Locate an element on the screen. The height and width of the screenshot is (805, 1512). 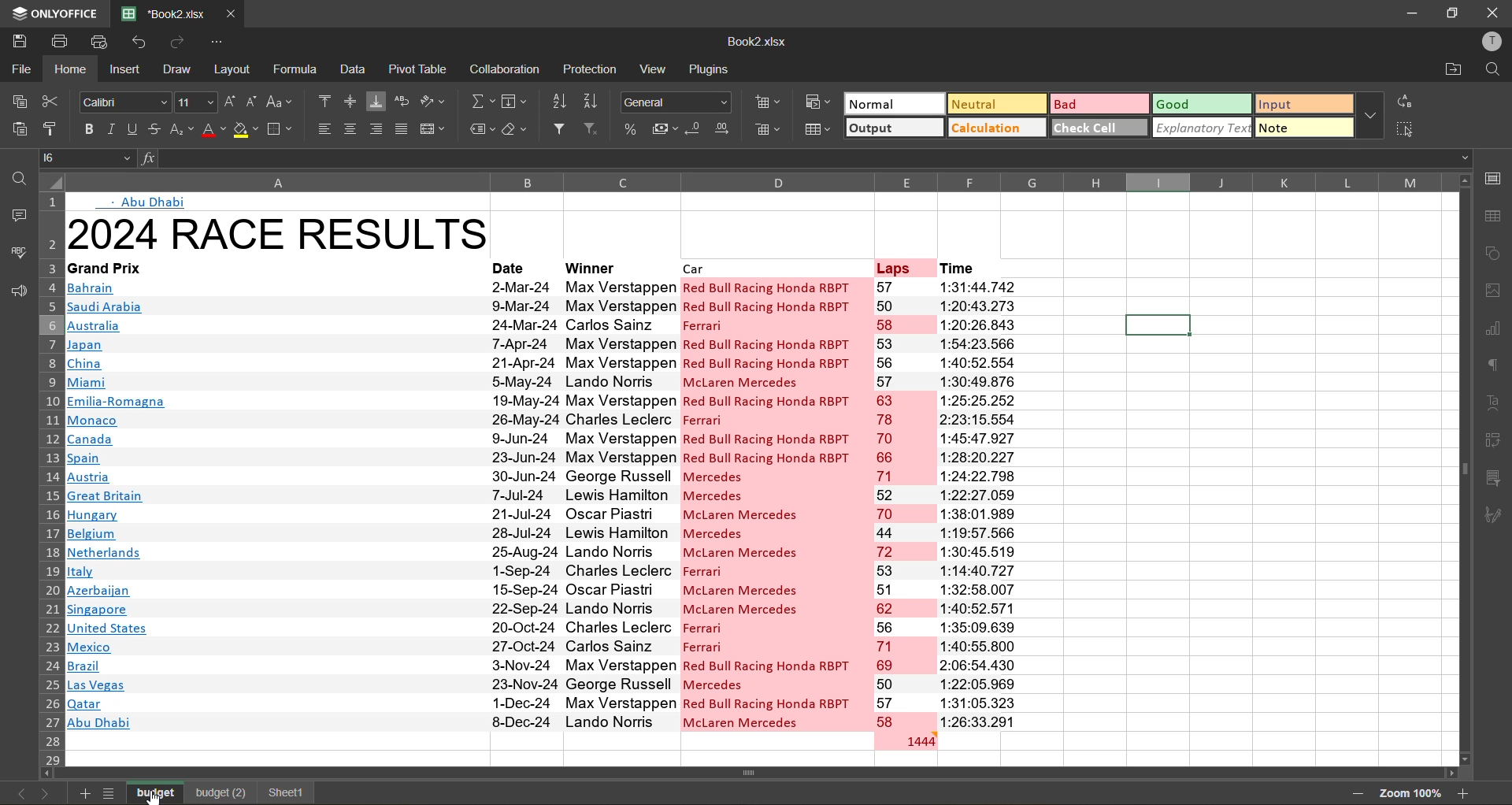
save is located at coordinates (18, 39).